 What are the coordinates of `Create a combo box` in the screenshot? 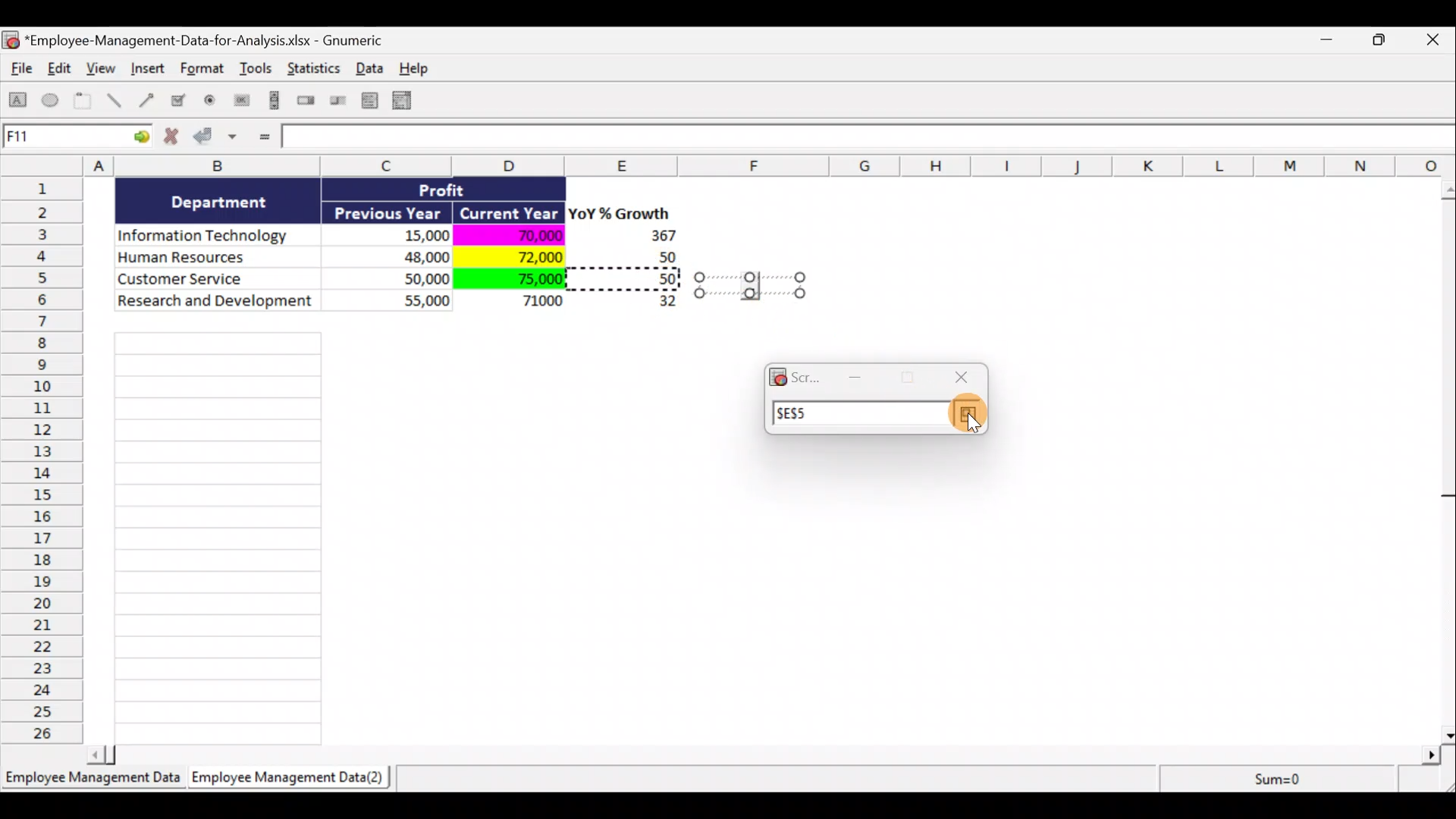 It's located at (409, 101).